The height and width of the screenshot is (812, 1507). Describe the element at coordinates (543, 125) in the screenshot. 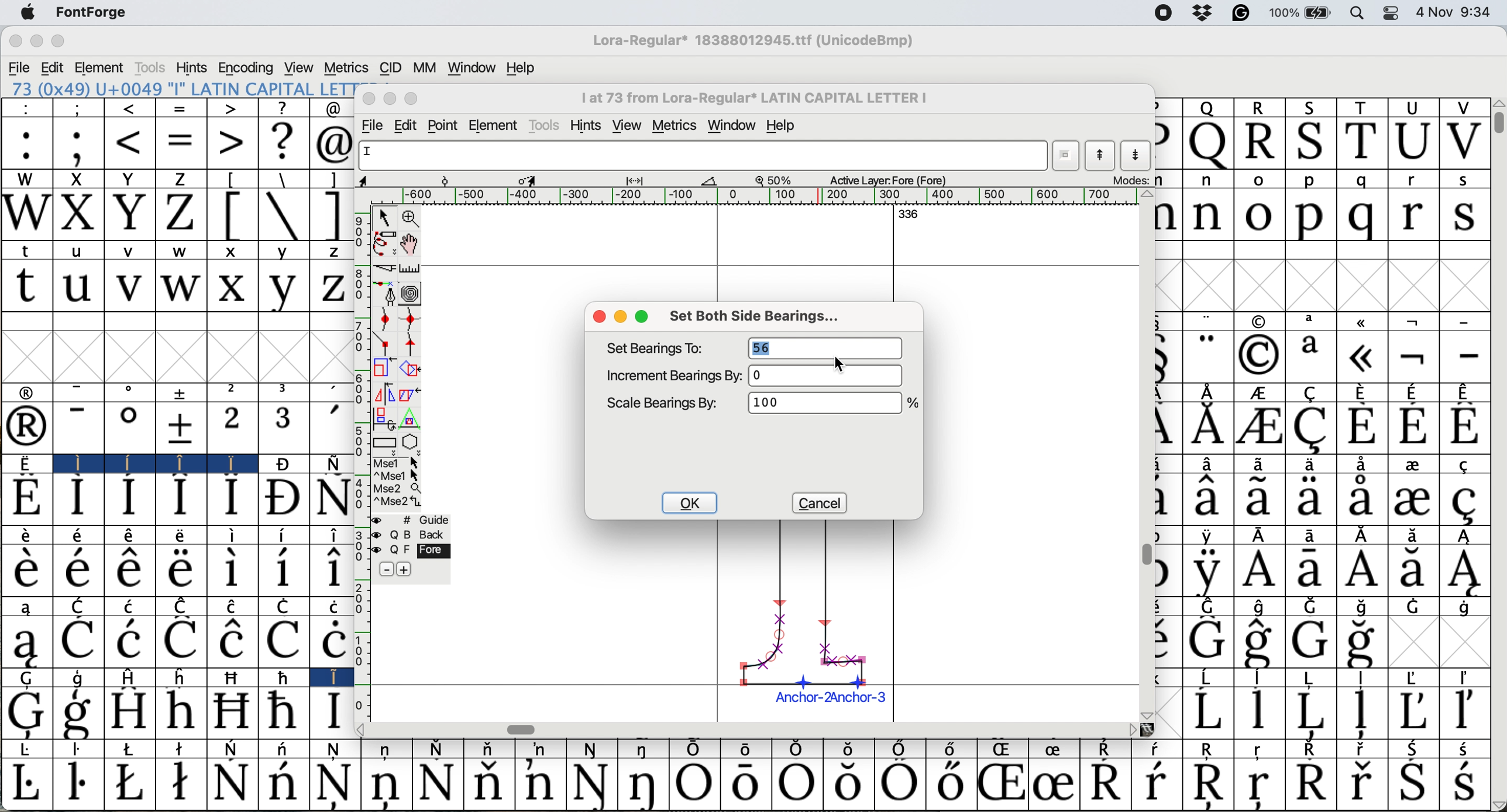

I see `tools` at that location.